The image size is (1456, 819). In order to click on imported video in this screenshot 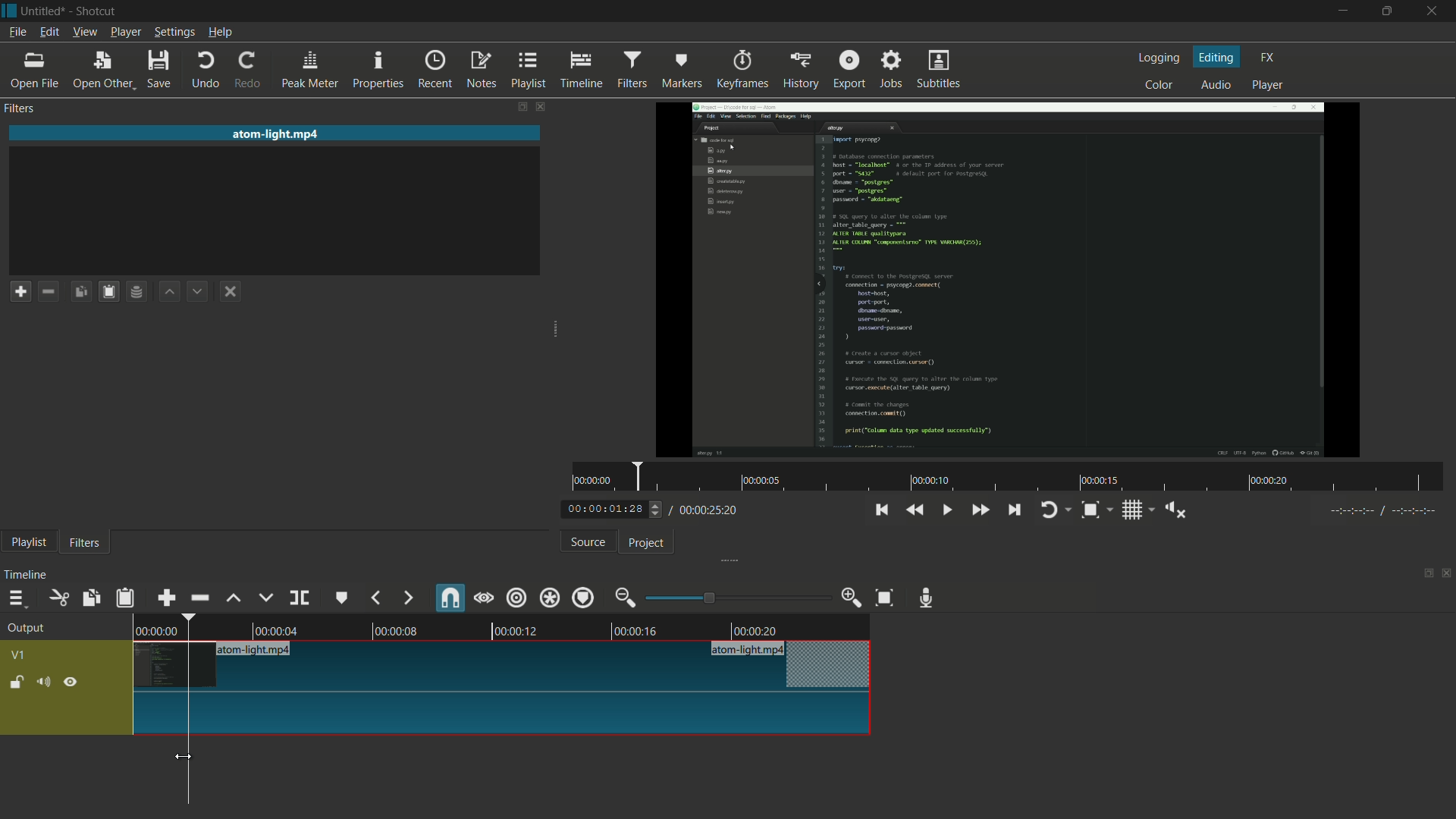, I will do `click(1012, 280)`.